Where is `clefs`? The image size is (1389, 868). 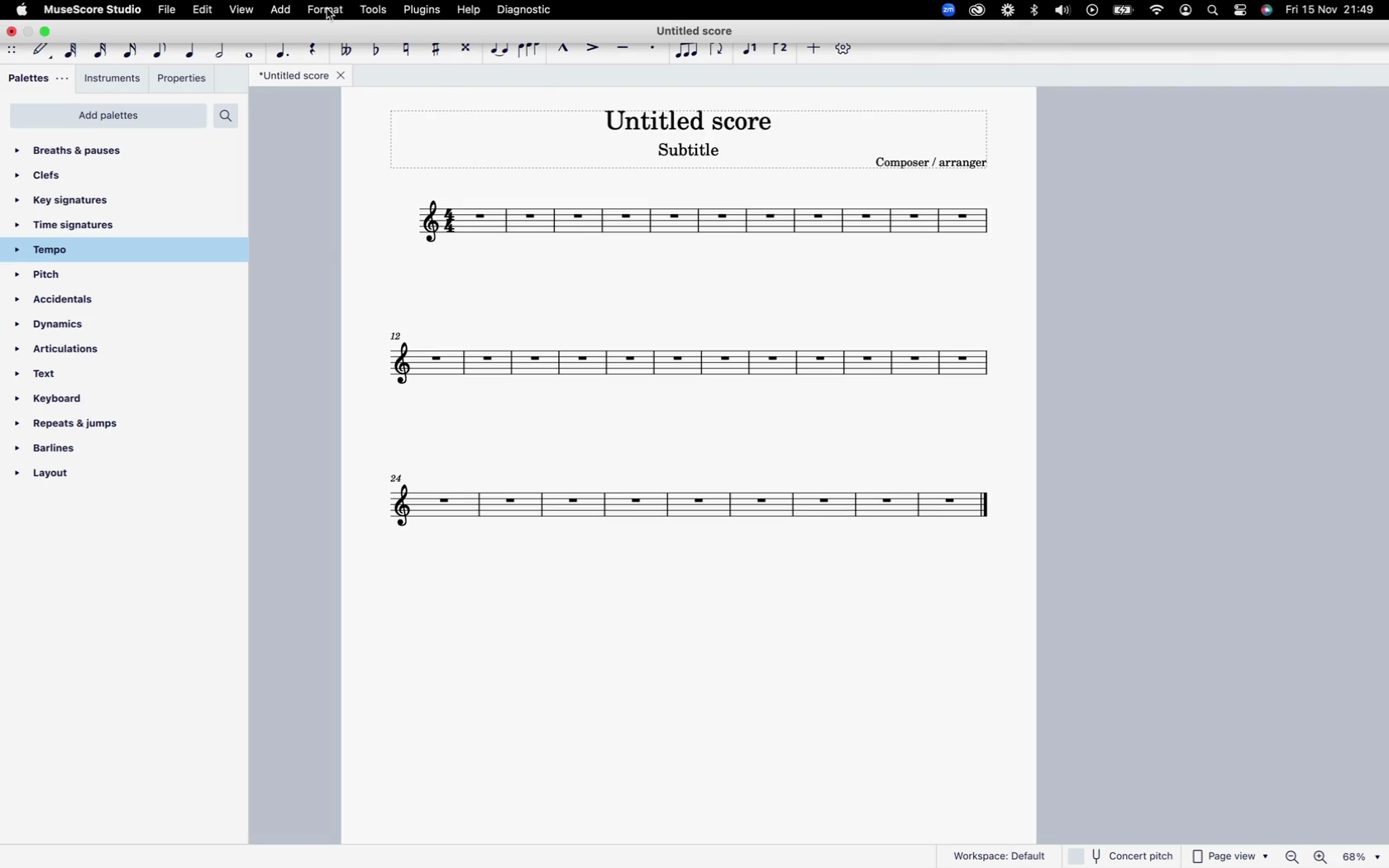
clefs is located at coordinates (67, 175).